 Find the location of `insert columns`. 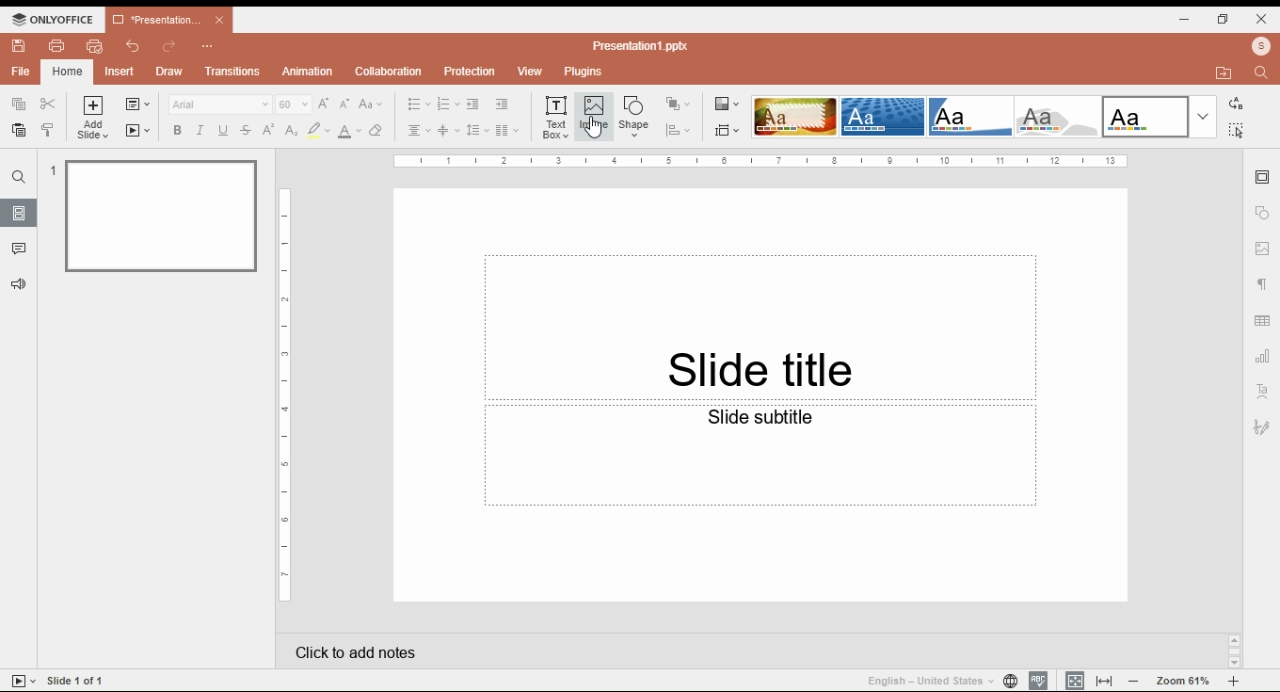

insert columns is located at coordinates (505, 131).